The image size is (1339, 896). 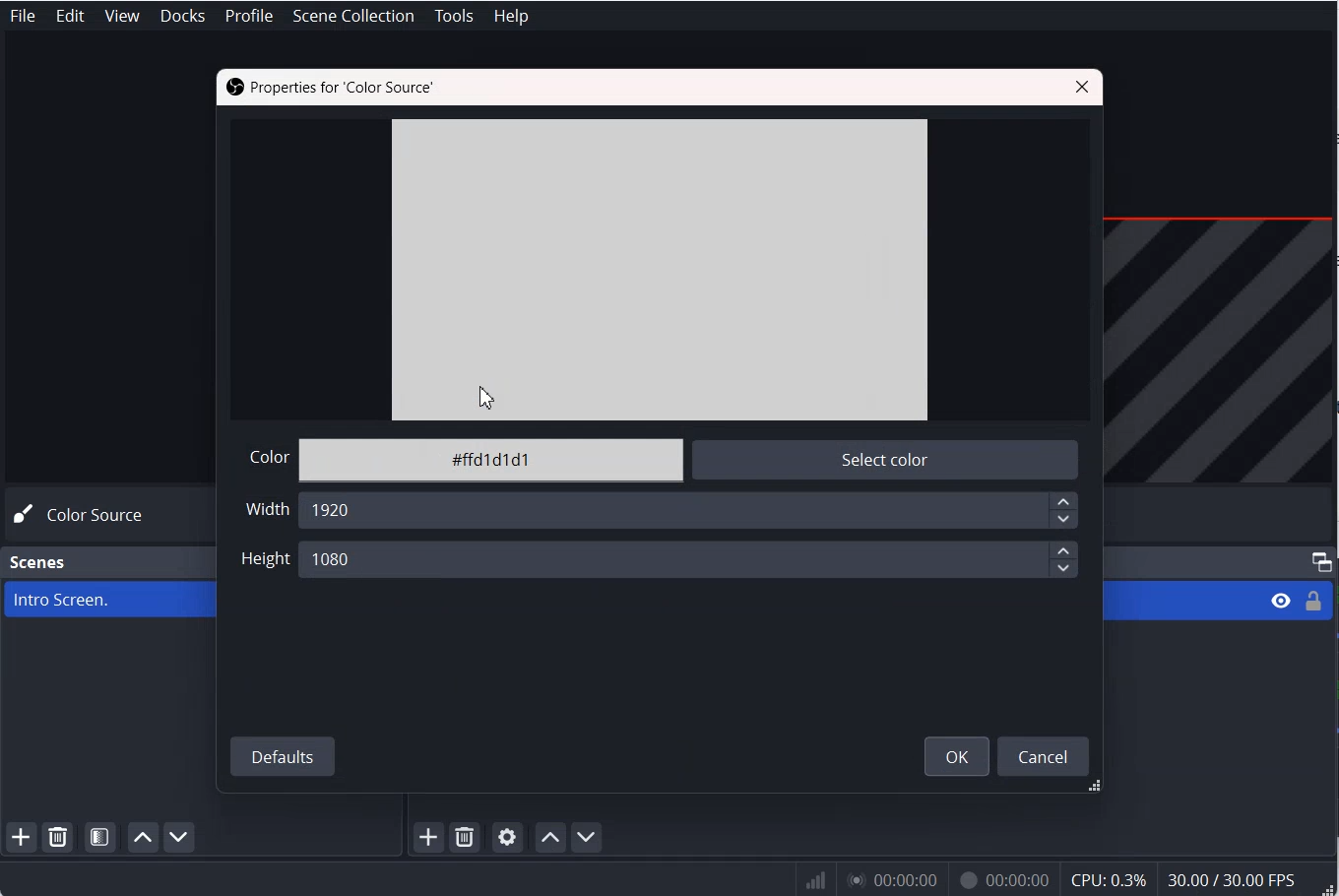 I want to click on Profile, so click(x=248, y=16).